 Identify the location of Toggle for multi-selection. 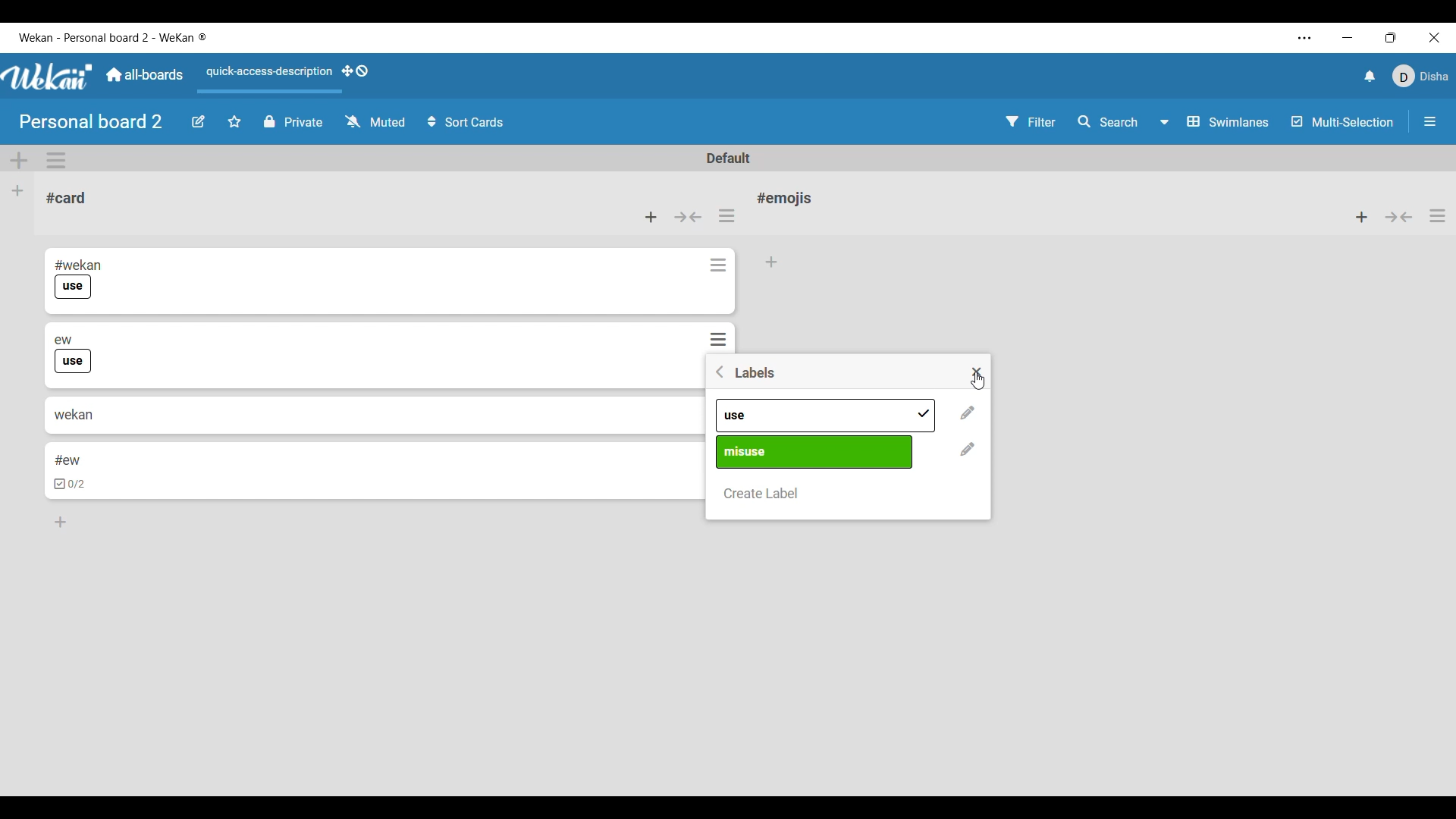
(1343, 121).